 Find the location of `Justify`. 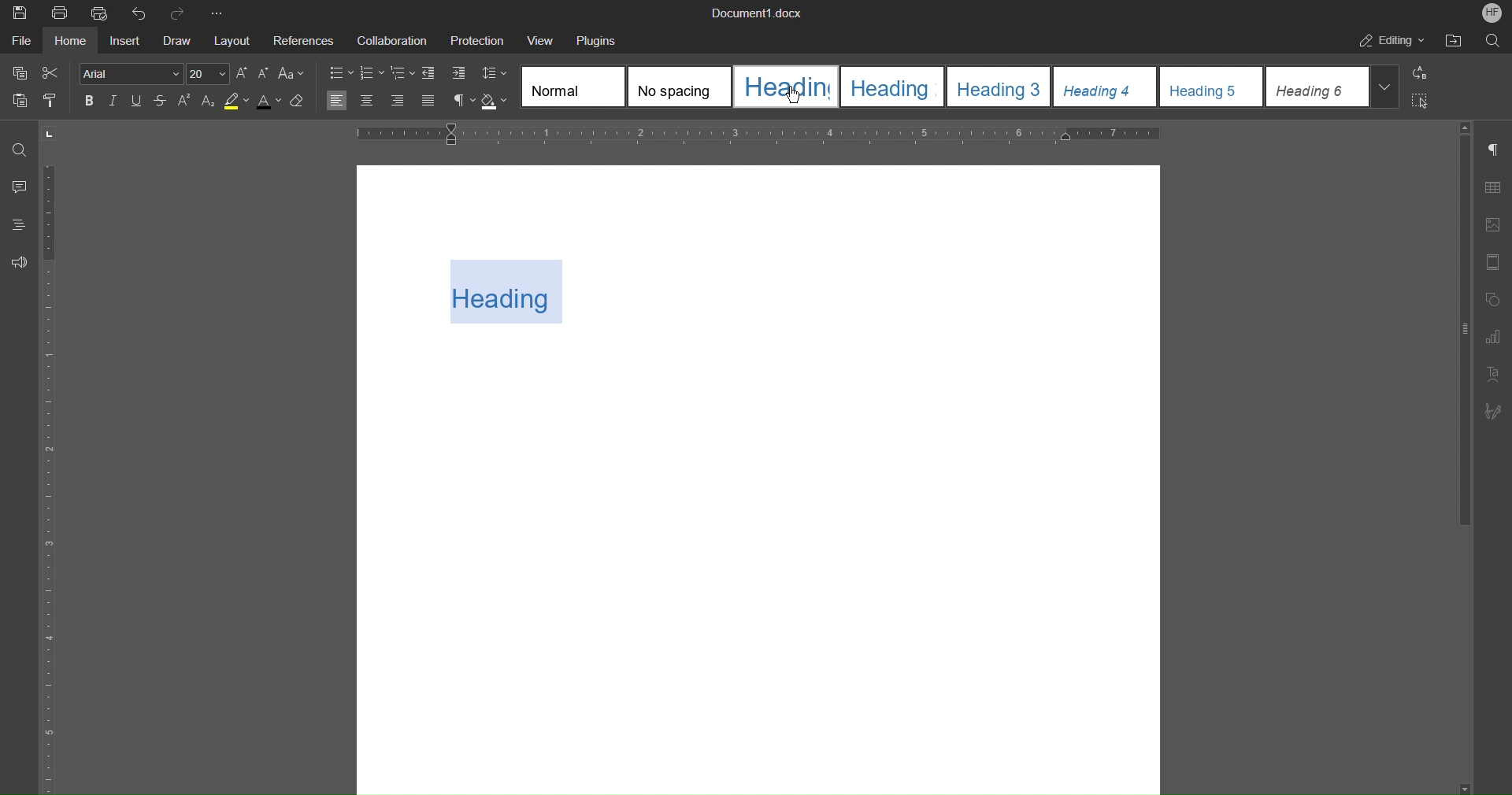

Justify is located at coordinates (428, 102).